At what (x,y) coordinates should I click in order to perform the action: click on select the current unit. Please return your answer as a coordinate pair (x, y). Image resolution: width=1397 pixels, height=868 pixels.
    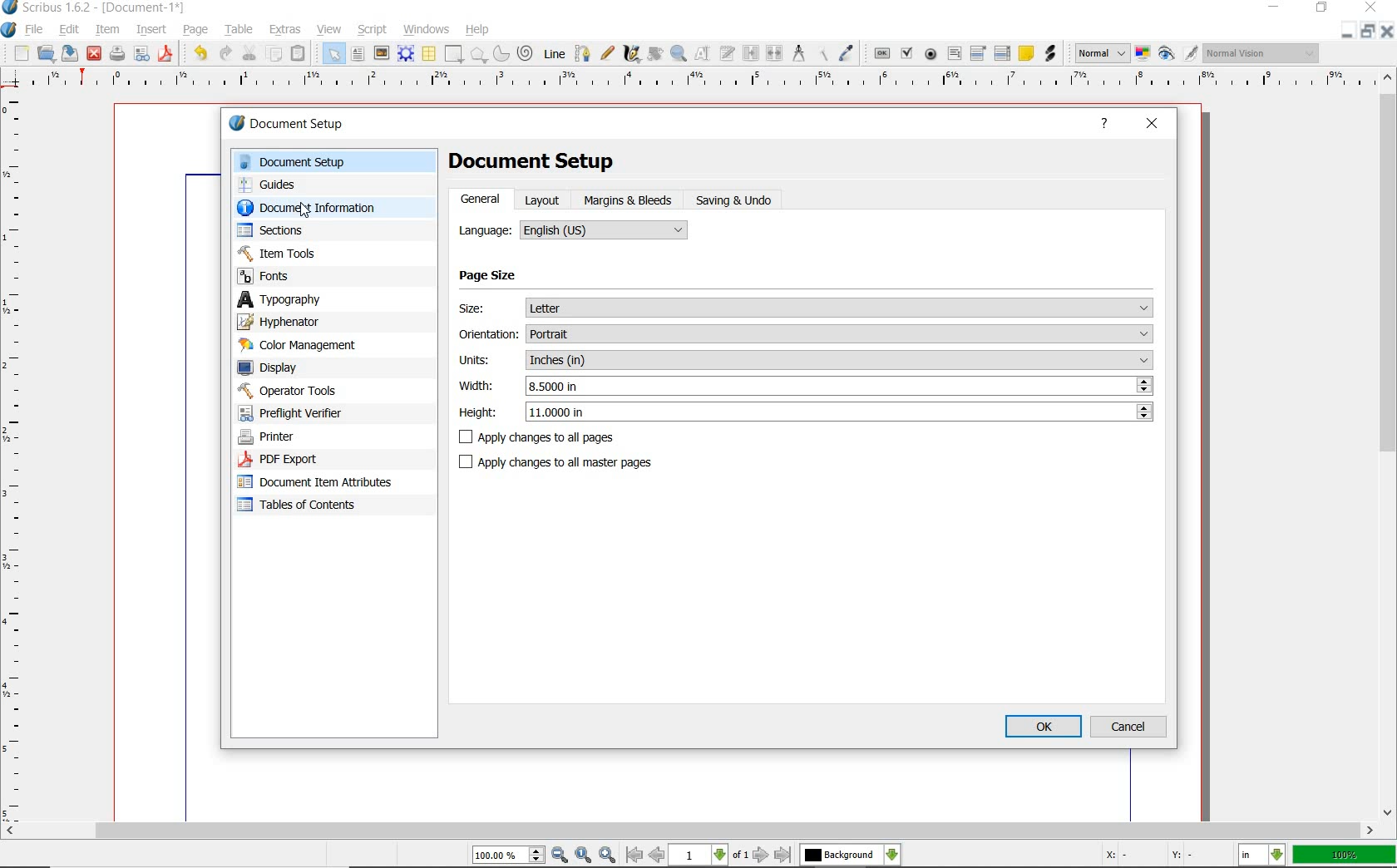
    Looking at the image, I should click on (1261, 855).